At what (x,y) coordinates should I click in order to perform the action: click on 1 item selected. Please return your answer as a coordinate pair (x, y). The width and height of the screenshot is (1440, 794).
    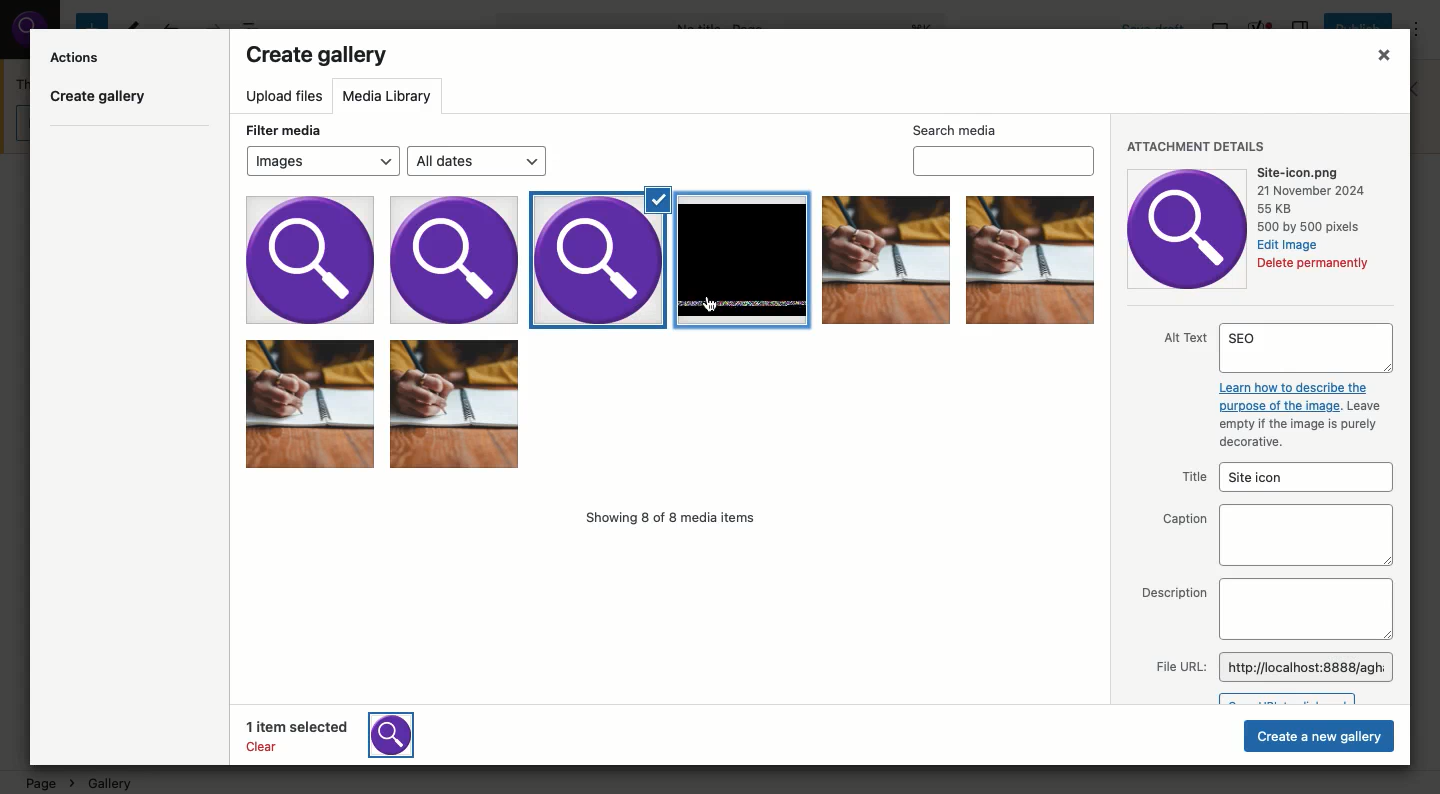
    Looking at the image, I should click on (341, 734).